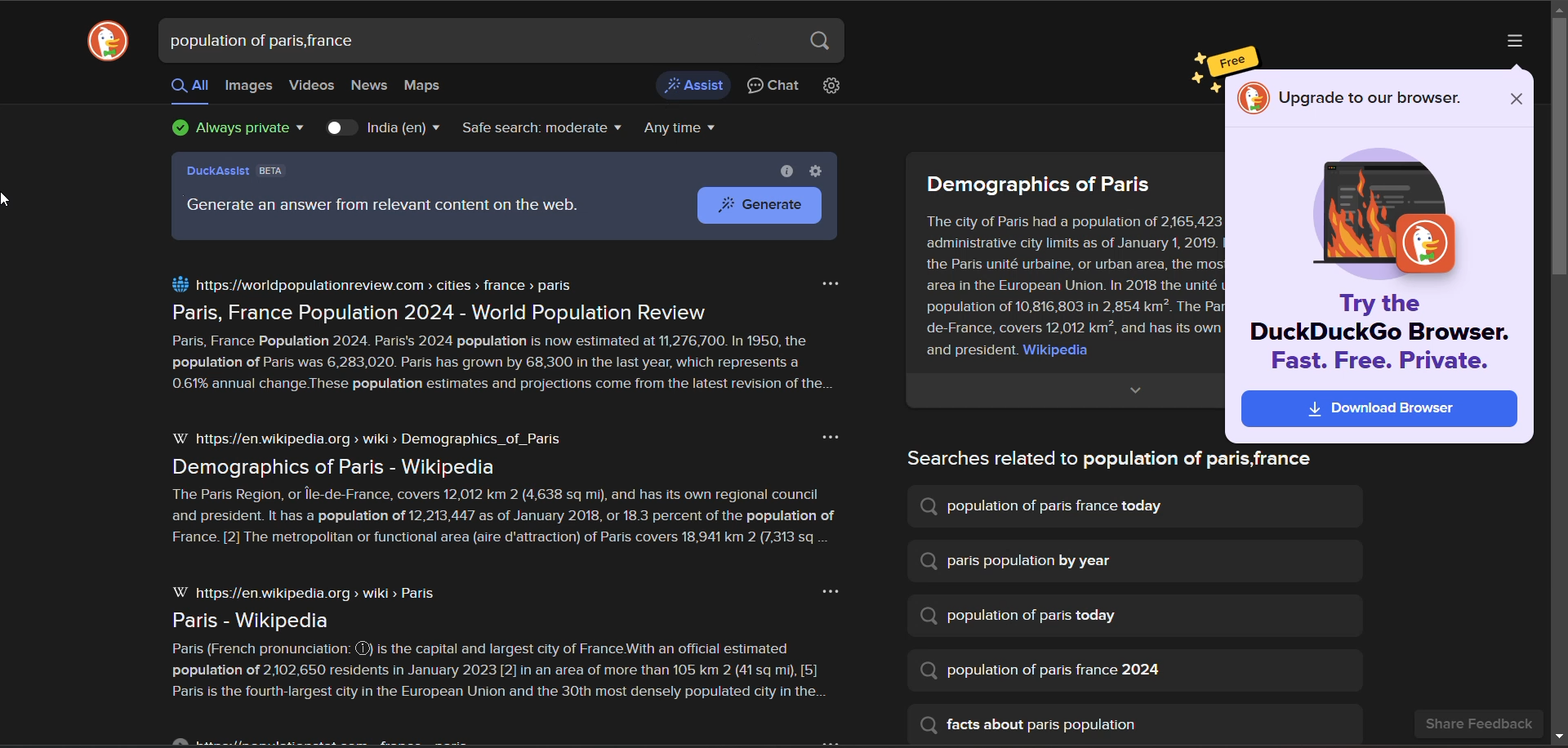 The image size is (1568, 748). I want to click on | | Download Browser, so click(1378, 409).